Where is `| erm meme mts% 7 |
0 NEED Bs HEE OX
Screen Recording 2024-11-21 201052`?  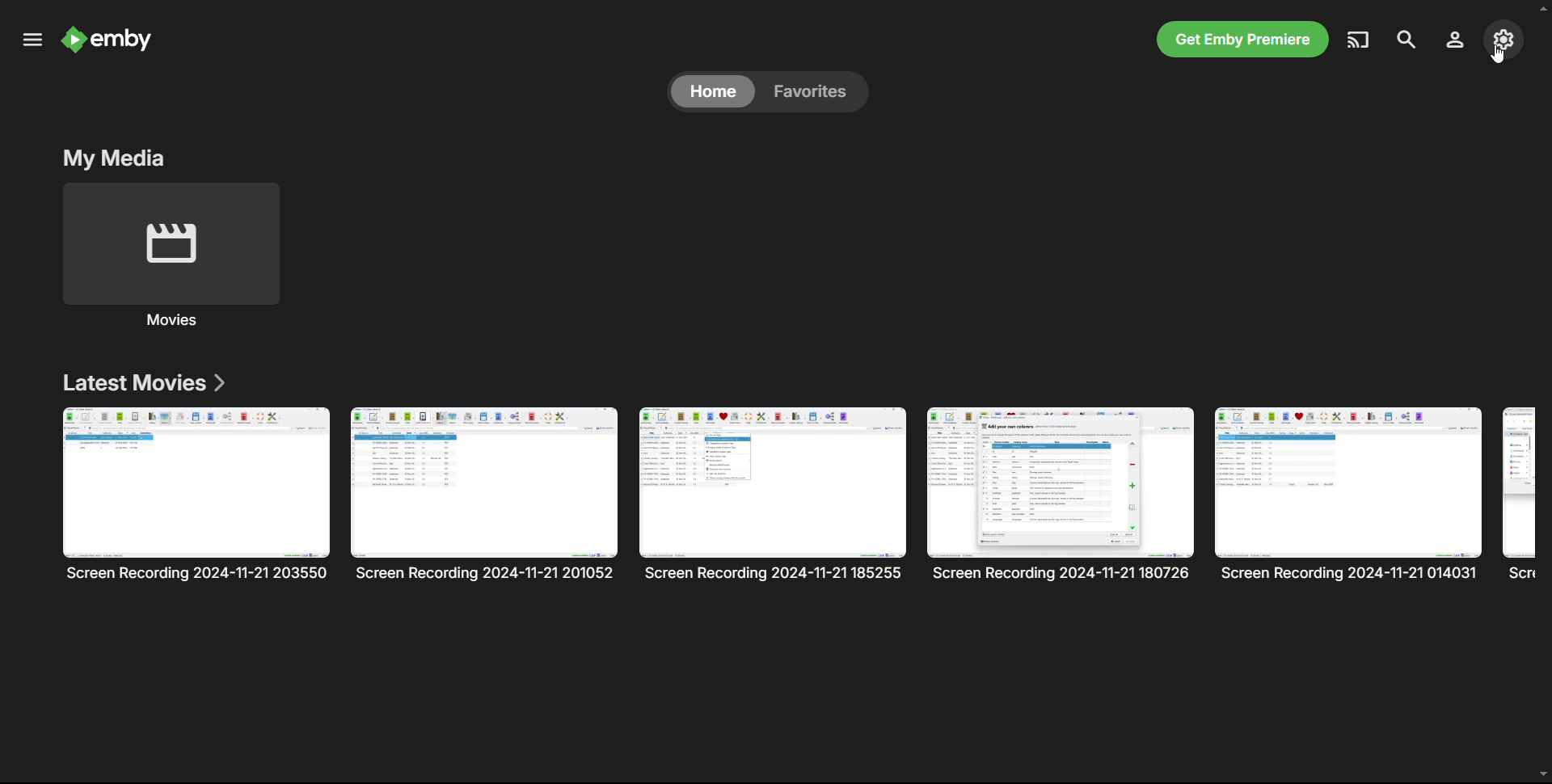 | erm meme mts% 7 |
0 NEED Bs HEE OX
Screen Recording 2024-11-21 201052 is located at coordinates (484, 493).